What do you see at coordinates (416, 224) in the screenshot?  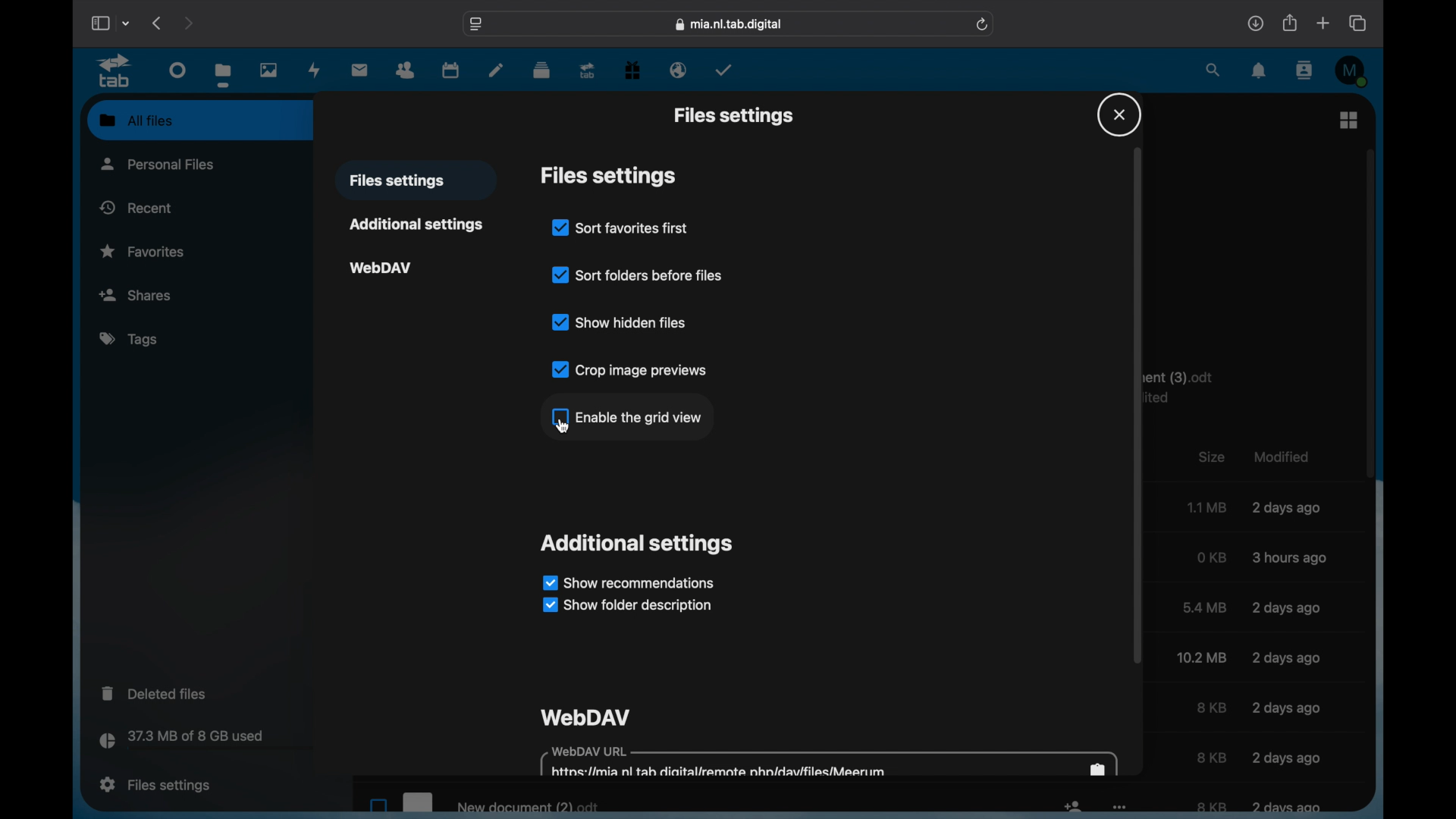 I see `additional settings` at bounding box center [416, 224].